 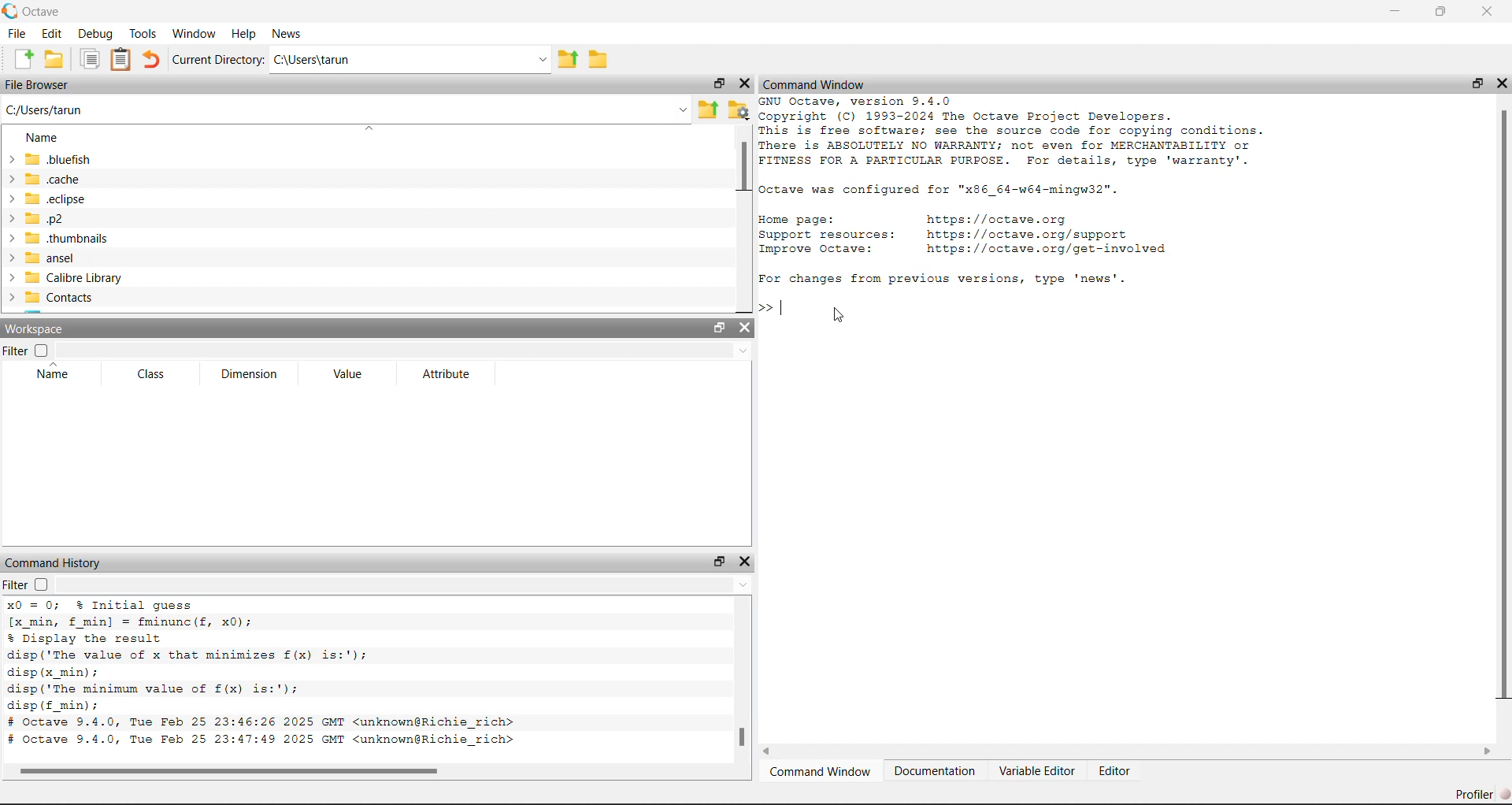 I want to click on Dimension, so click(x=256, y=377).